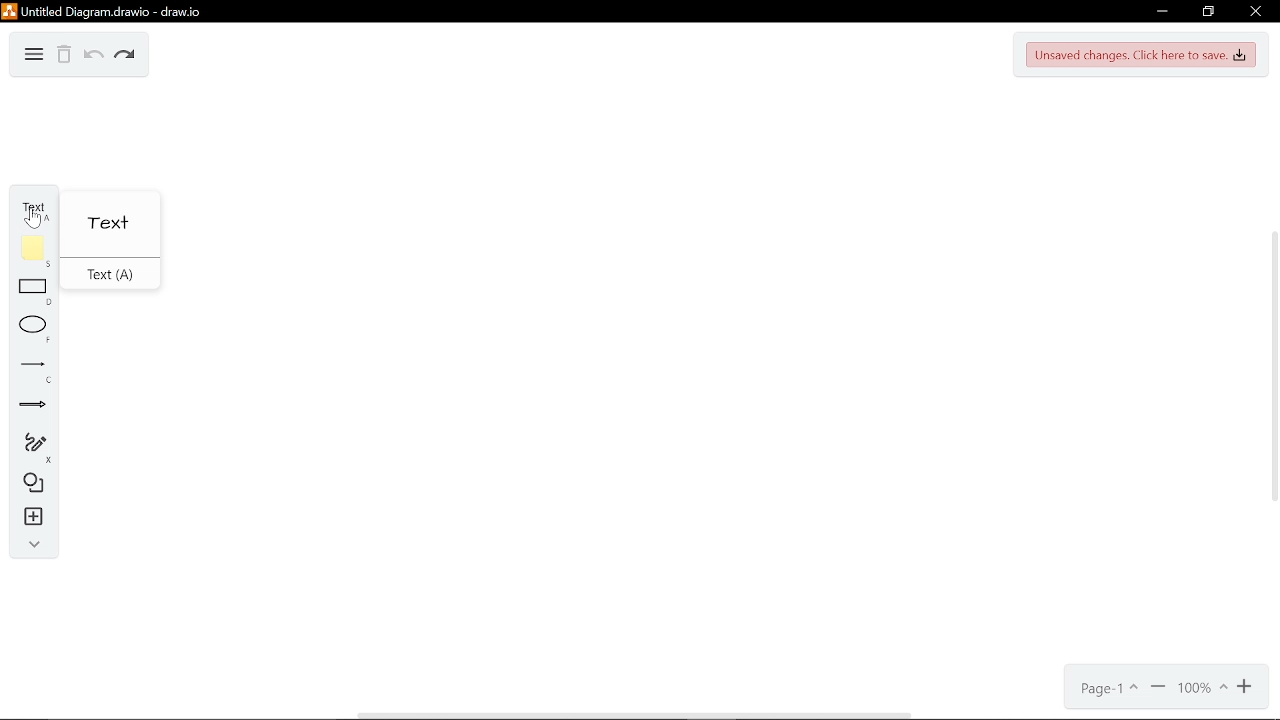 This screenshot has width=1280, height=720. I want to click on Diagram, so click(34, 52).